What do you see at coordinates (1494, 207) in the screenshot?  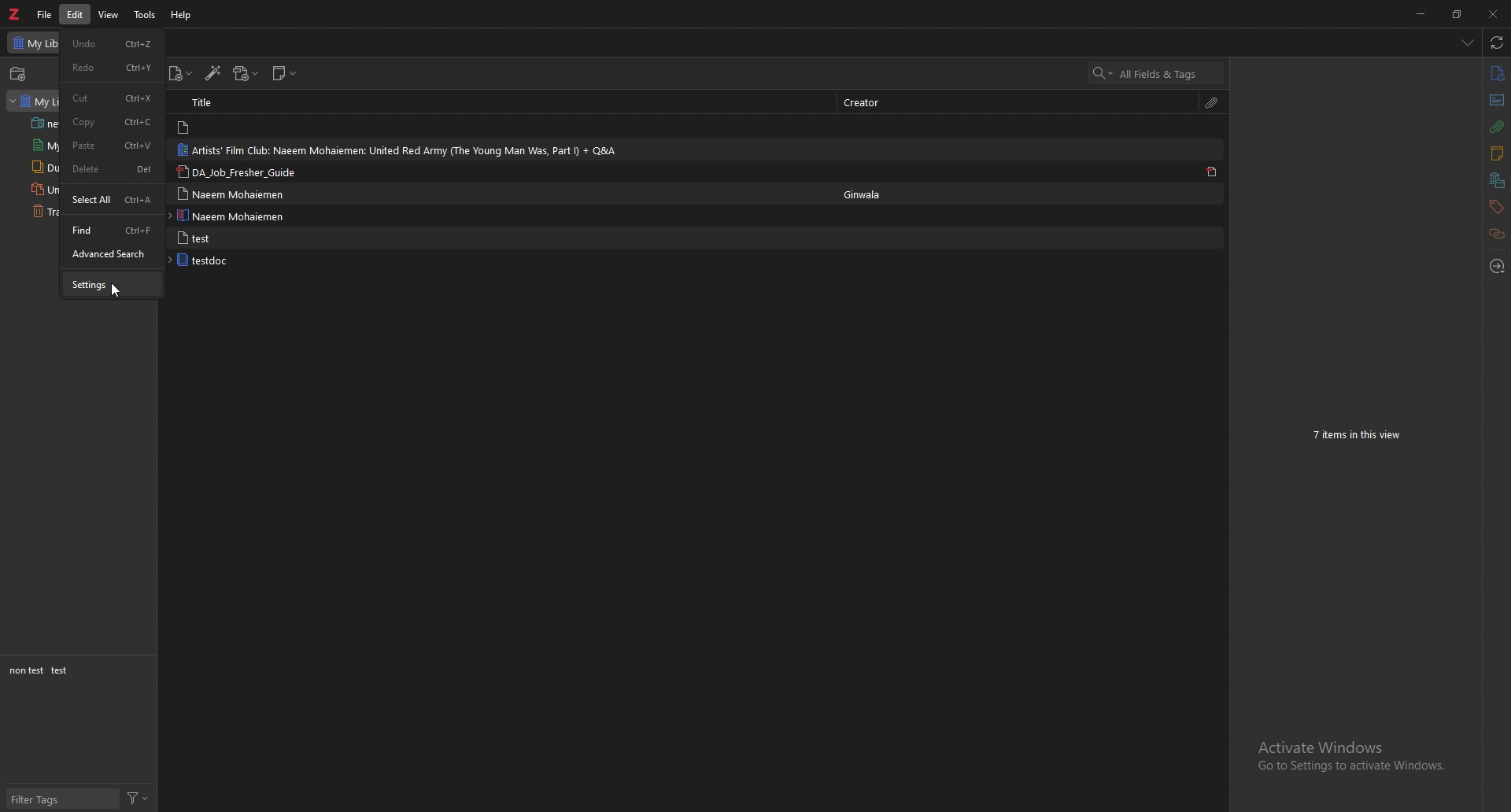 I see `tags` at bounding box center [1494, 207].